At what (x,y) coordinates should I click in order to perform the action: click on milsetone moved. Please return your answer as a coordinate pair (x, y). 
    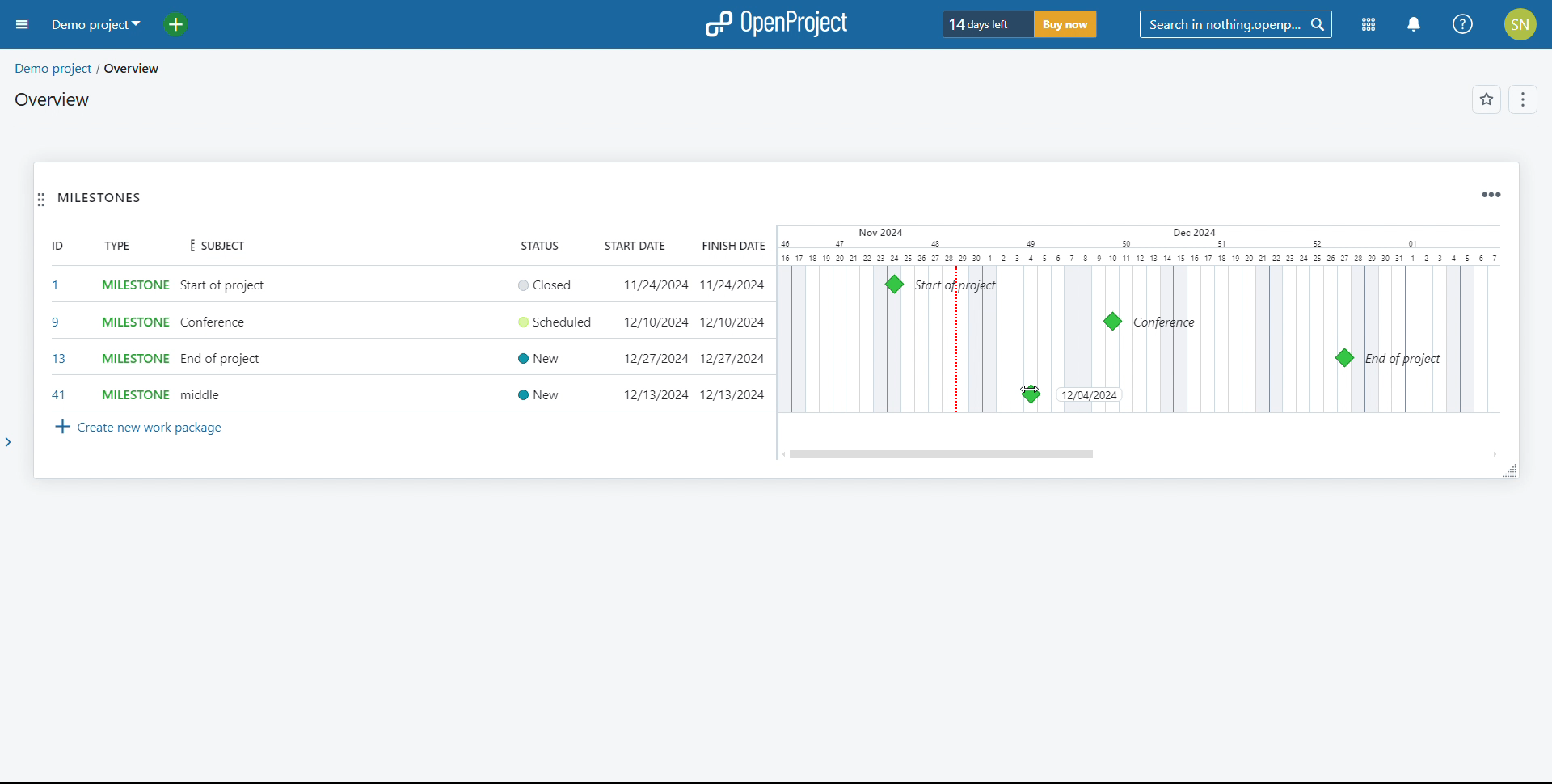
    Looking at the image, I should click on (1031, 394).